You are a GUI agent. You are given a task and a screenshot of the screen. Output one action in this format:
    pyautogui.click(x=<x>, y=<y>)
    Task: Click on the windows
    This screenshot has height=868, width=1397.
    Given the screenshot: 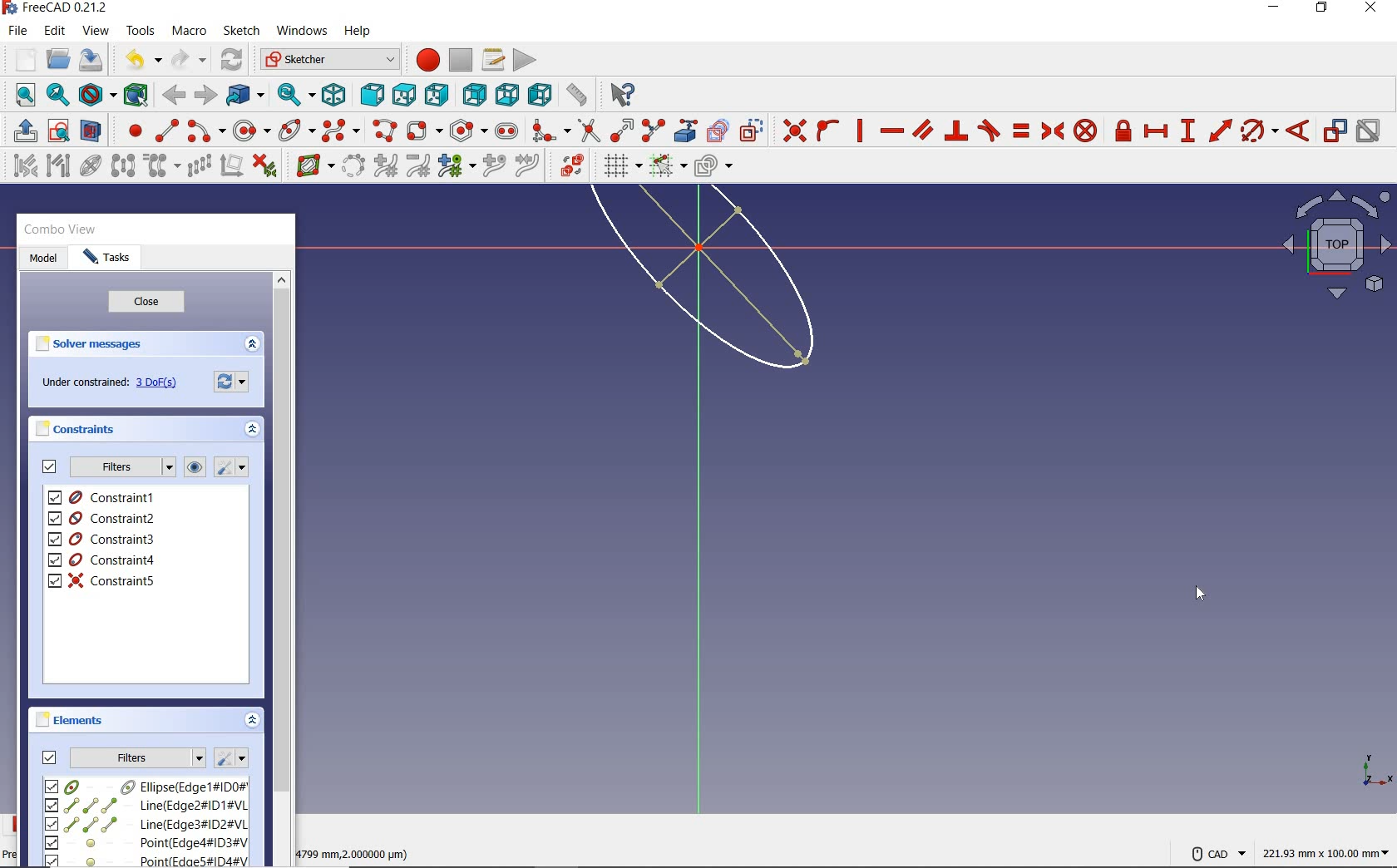 What is the action you would take?
    pyautogui.click(x=300, y=32)
    